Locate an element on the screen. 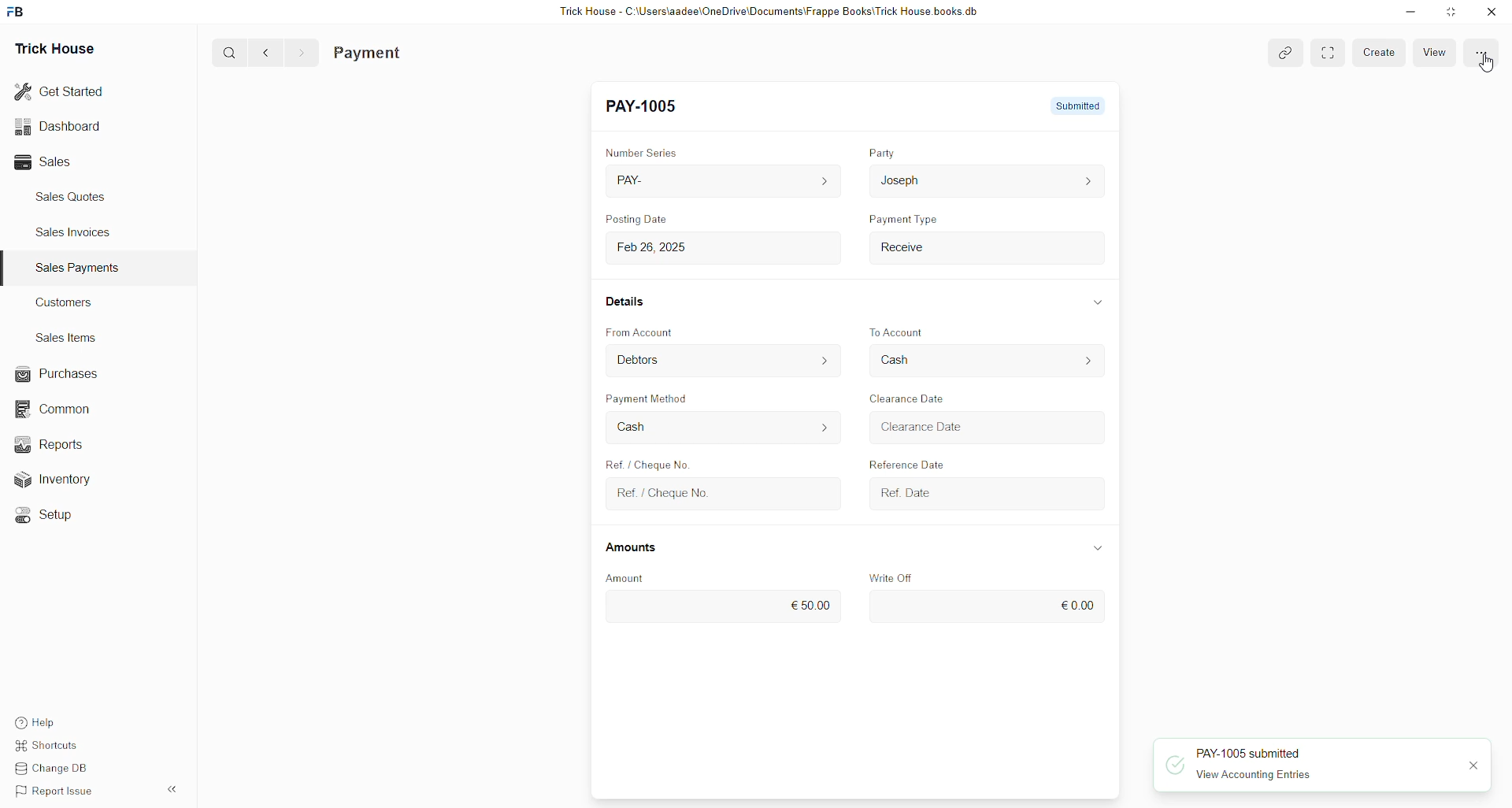  Amount is located at coordinates (626, 579).